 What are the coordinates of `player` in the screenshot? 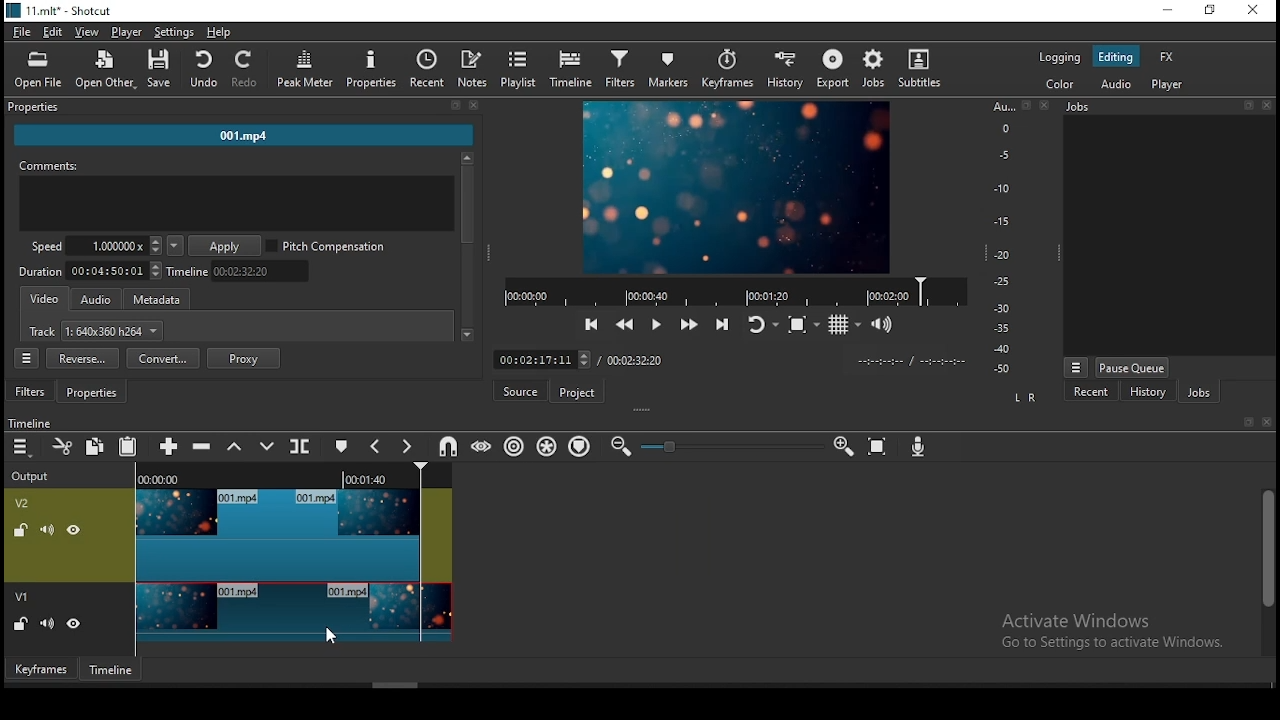 It's located at (1172, 86).